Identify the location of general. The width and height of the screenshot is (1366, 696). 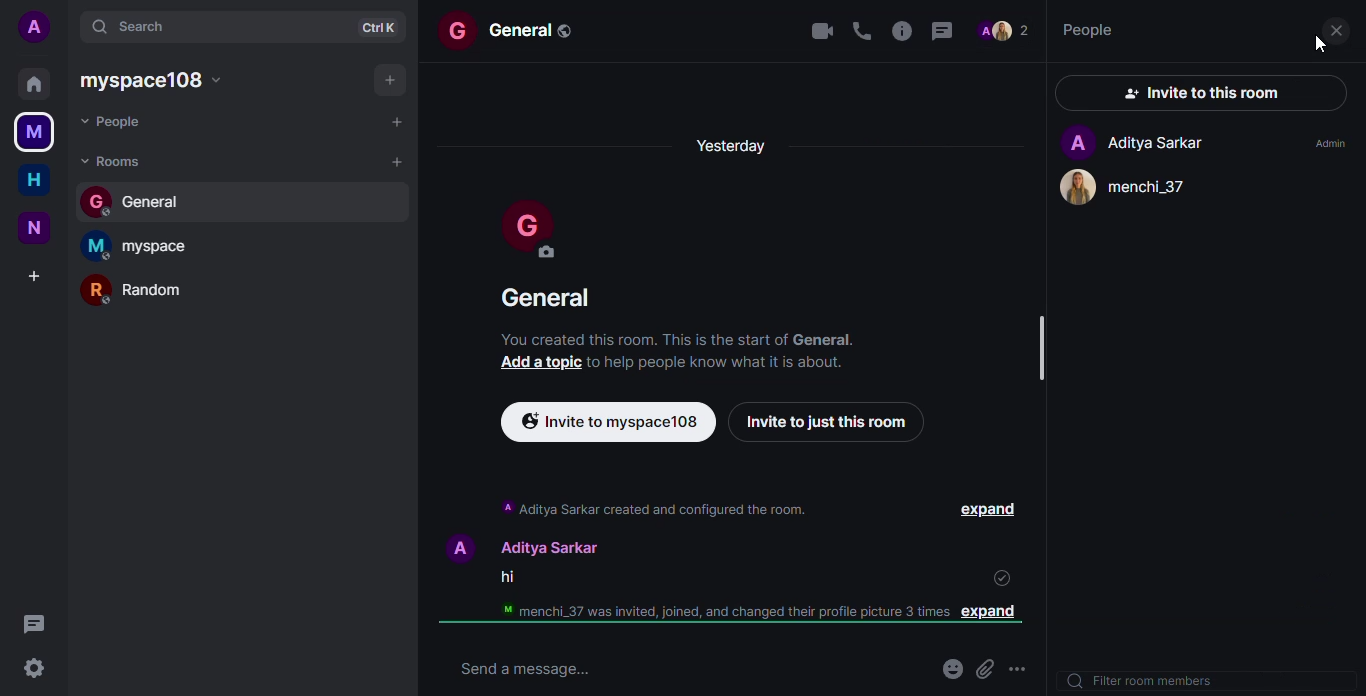
(520, 30).